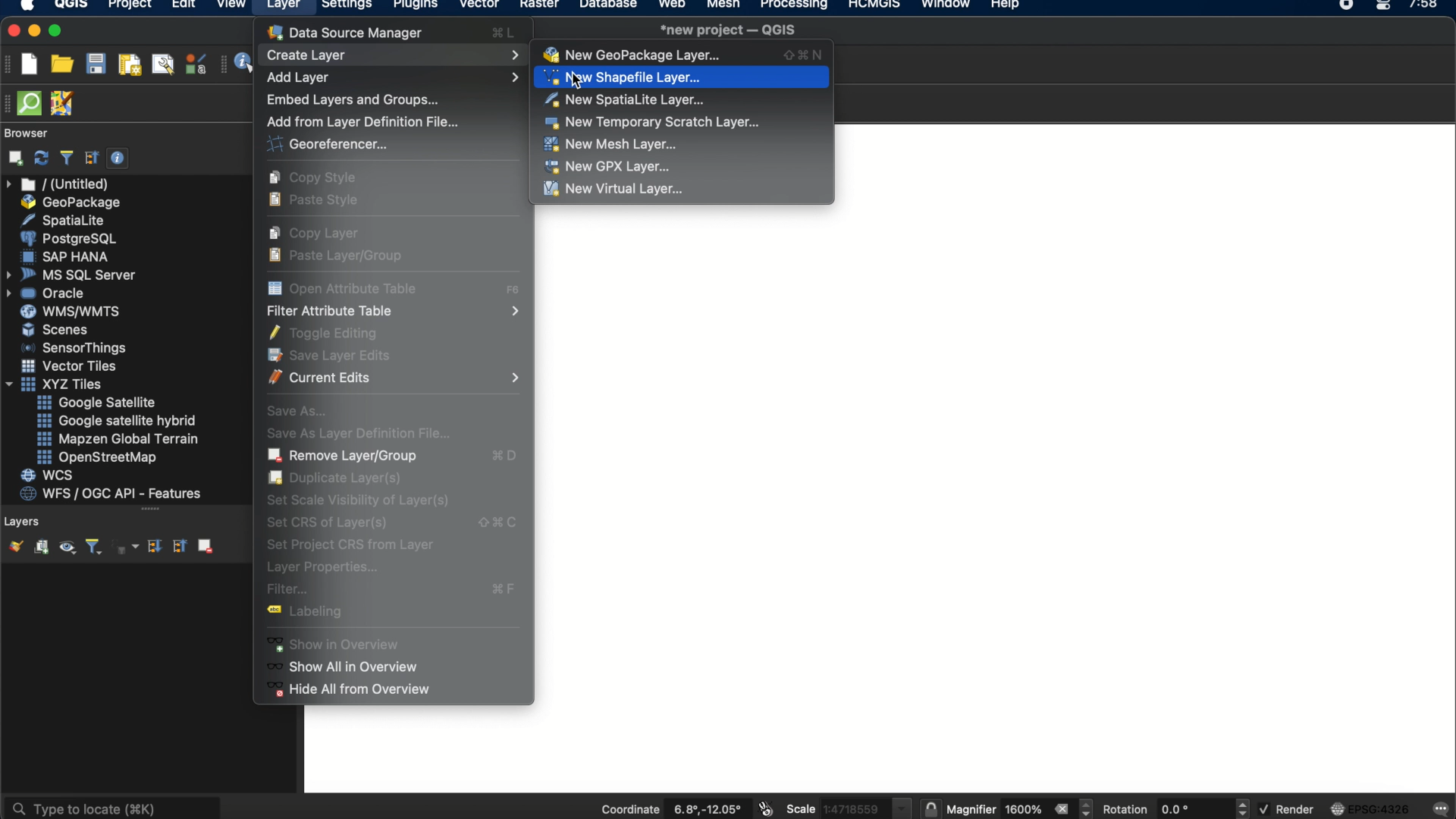 The height and width of the screenshot is (819, 1456). Describe the element at coordinates (538, 6) in the screenshot. I see `raster` at that location.